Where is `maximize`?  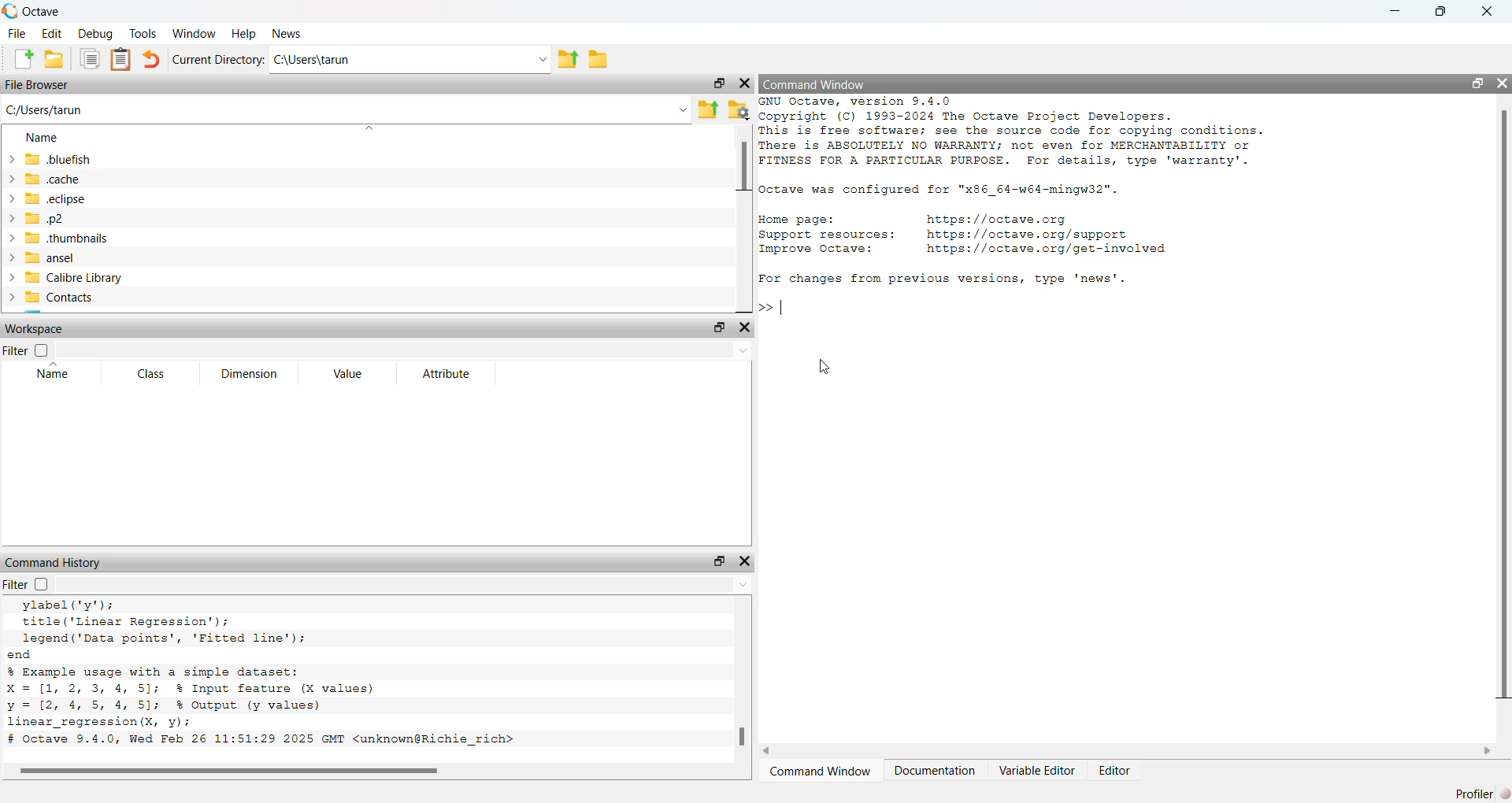 maximize is located at coordinates (1443, 10).